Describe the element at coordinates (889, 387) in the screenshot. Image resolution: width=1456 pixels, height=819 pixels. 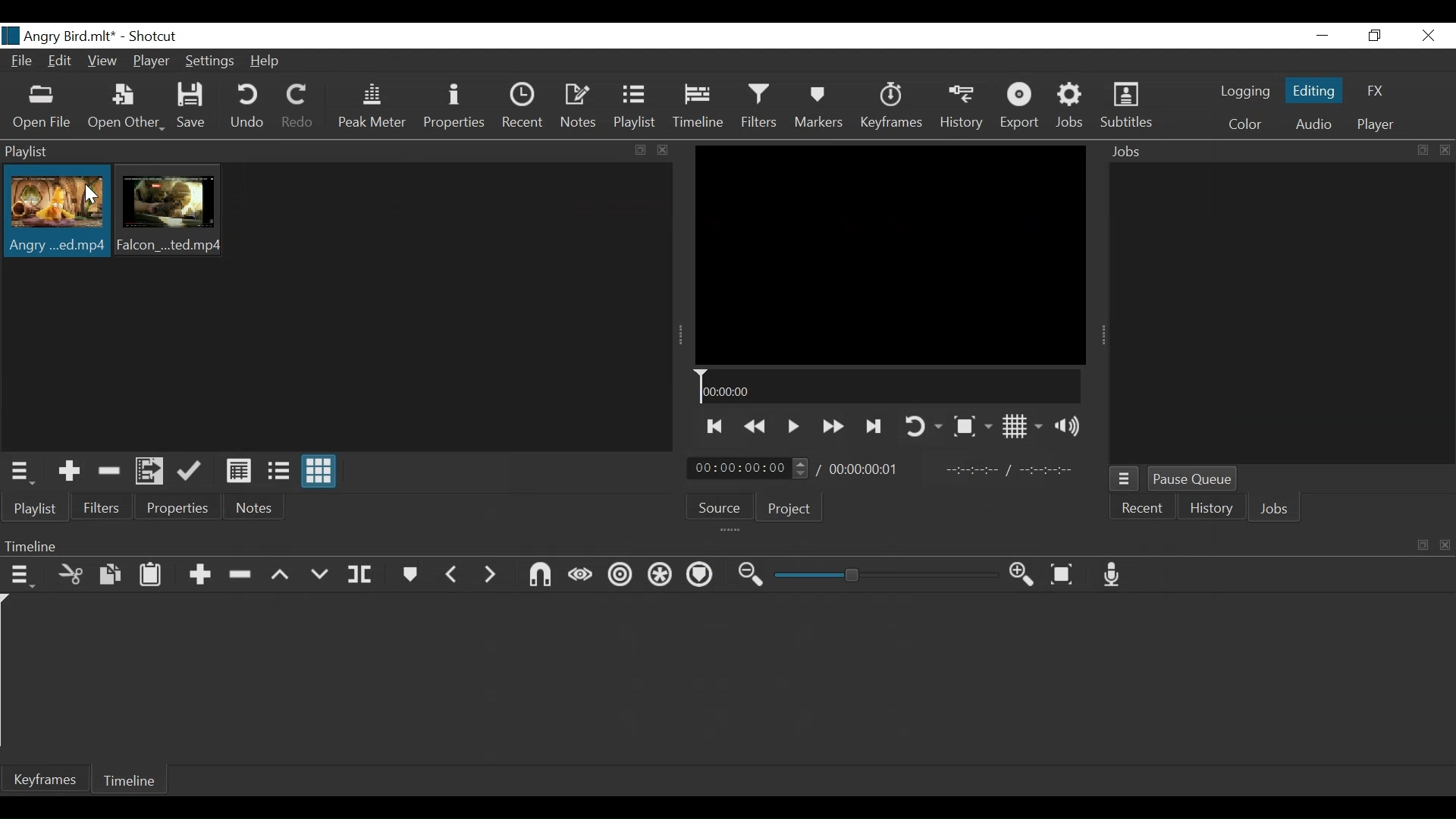
I see `Timeline` at that location.